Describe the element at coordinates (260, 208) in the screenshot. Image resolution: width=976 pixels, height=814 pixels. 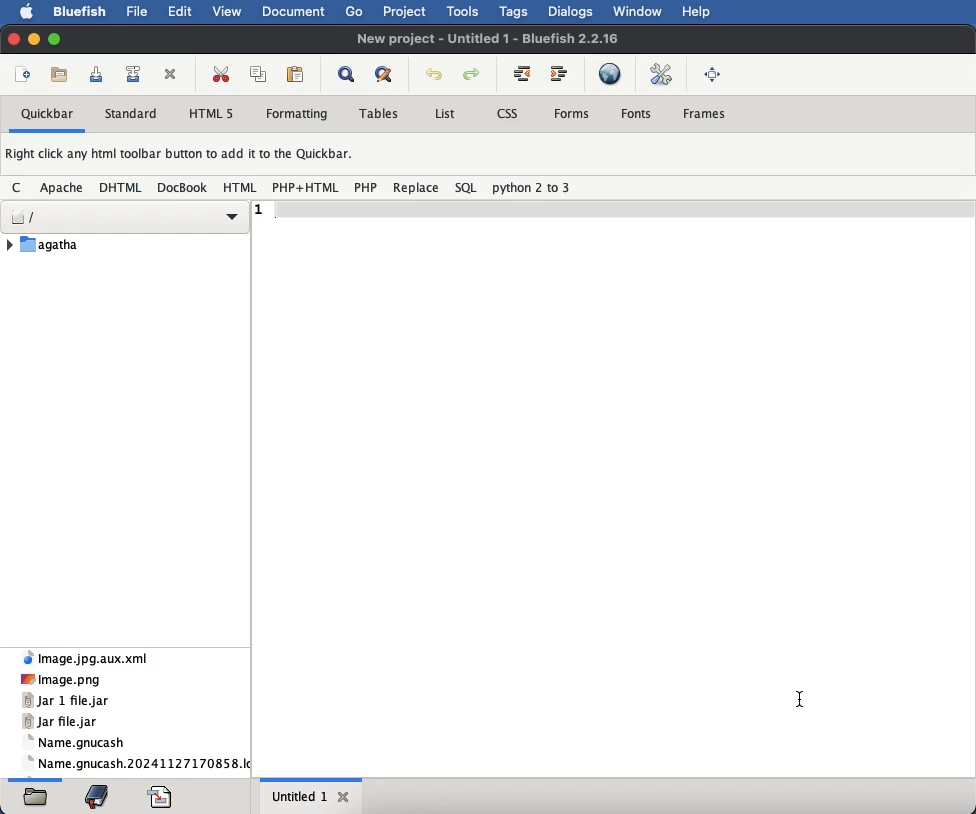
I see `1` at that location.